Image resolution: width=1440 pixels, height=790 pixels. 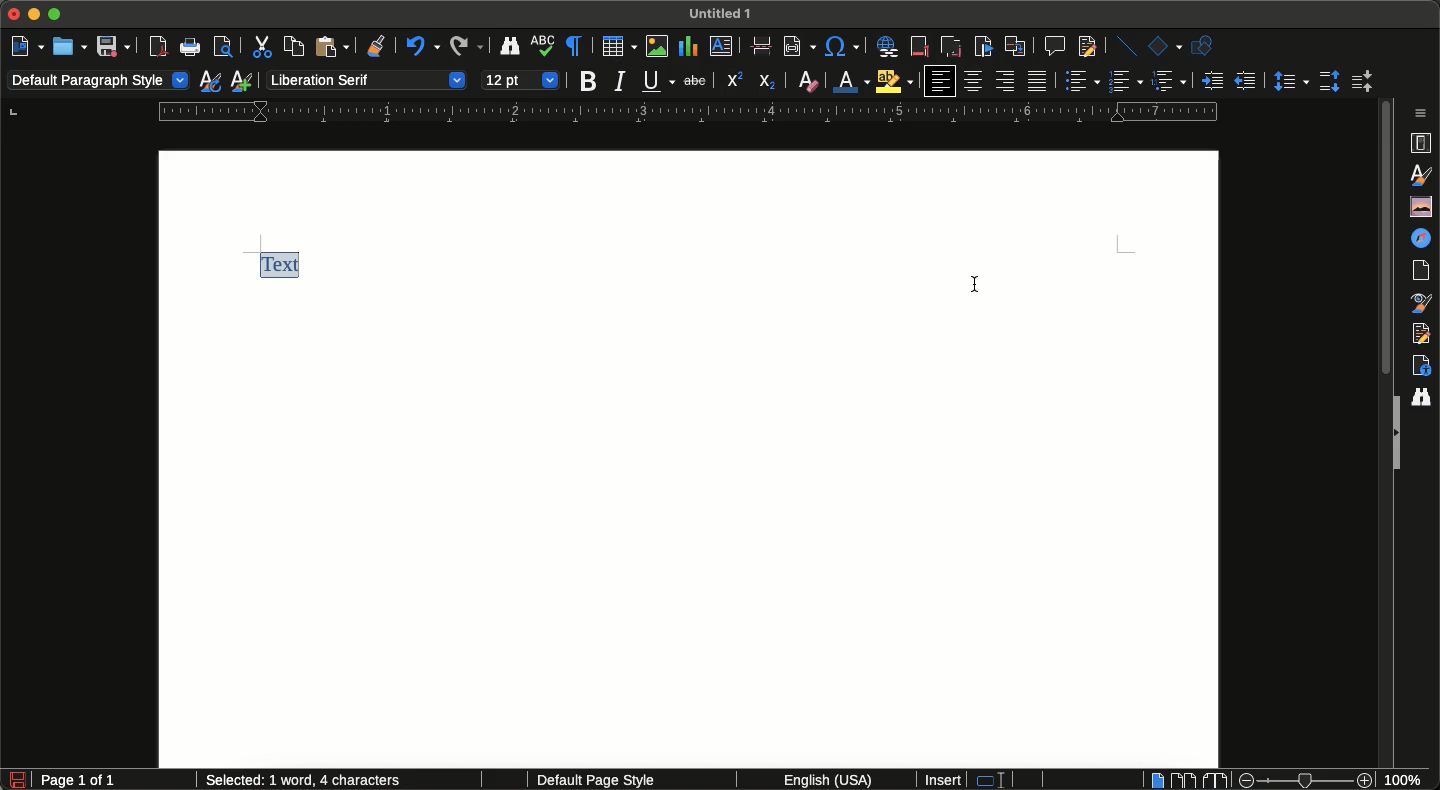 I want to click on Show track changes functions, so click(x=1085, y=47).